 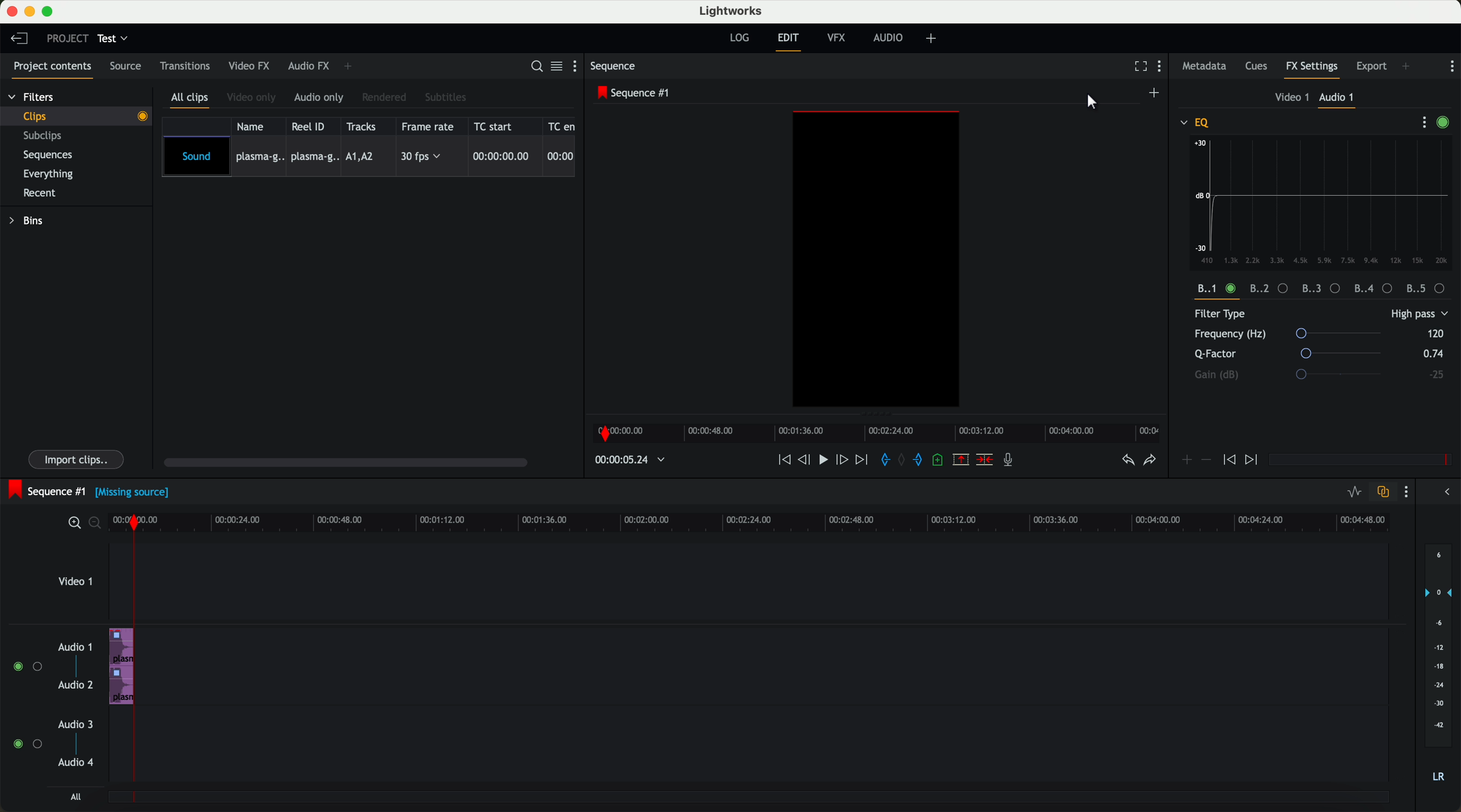 What do you see at coordinates (880, 433) in the screenshot?
I see `timeline` at bounding box center [880, 433].